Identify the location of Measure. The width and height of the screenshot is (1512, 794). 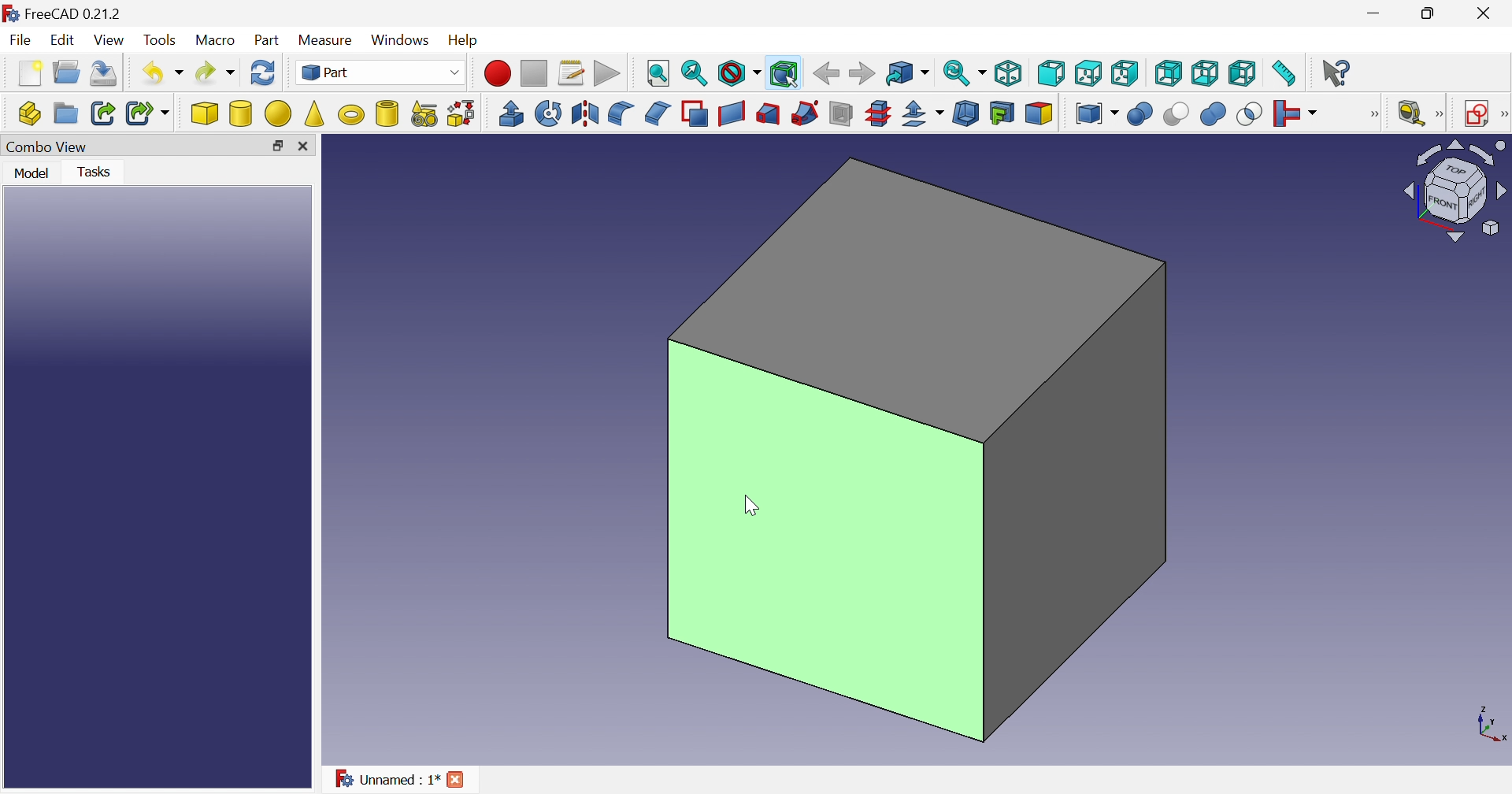
(1440, 114).